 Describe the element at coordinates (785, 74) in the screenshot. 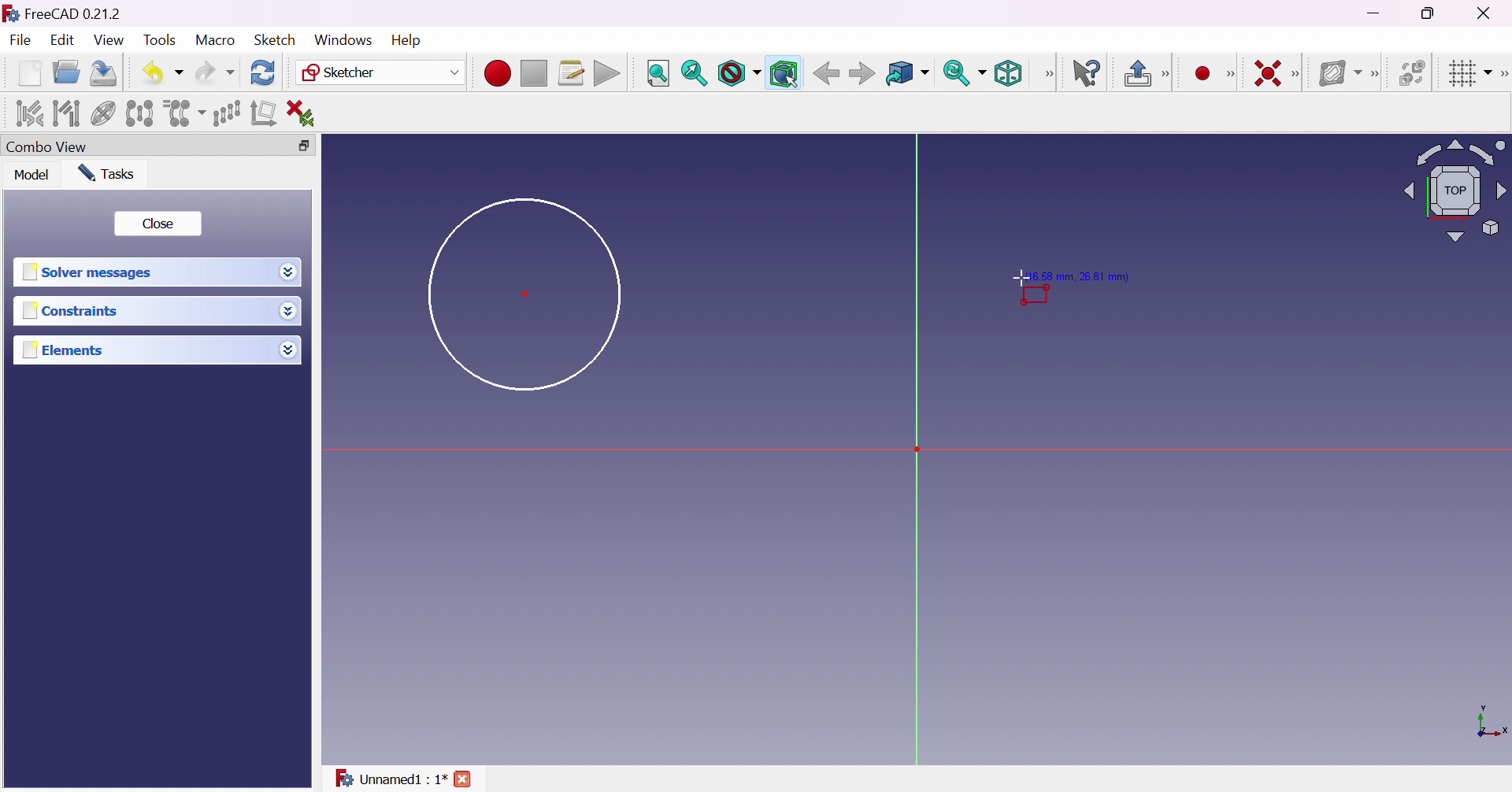

I see `Bounding box` at that location.